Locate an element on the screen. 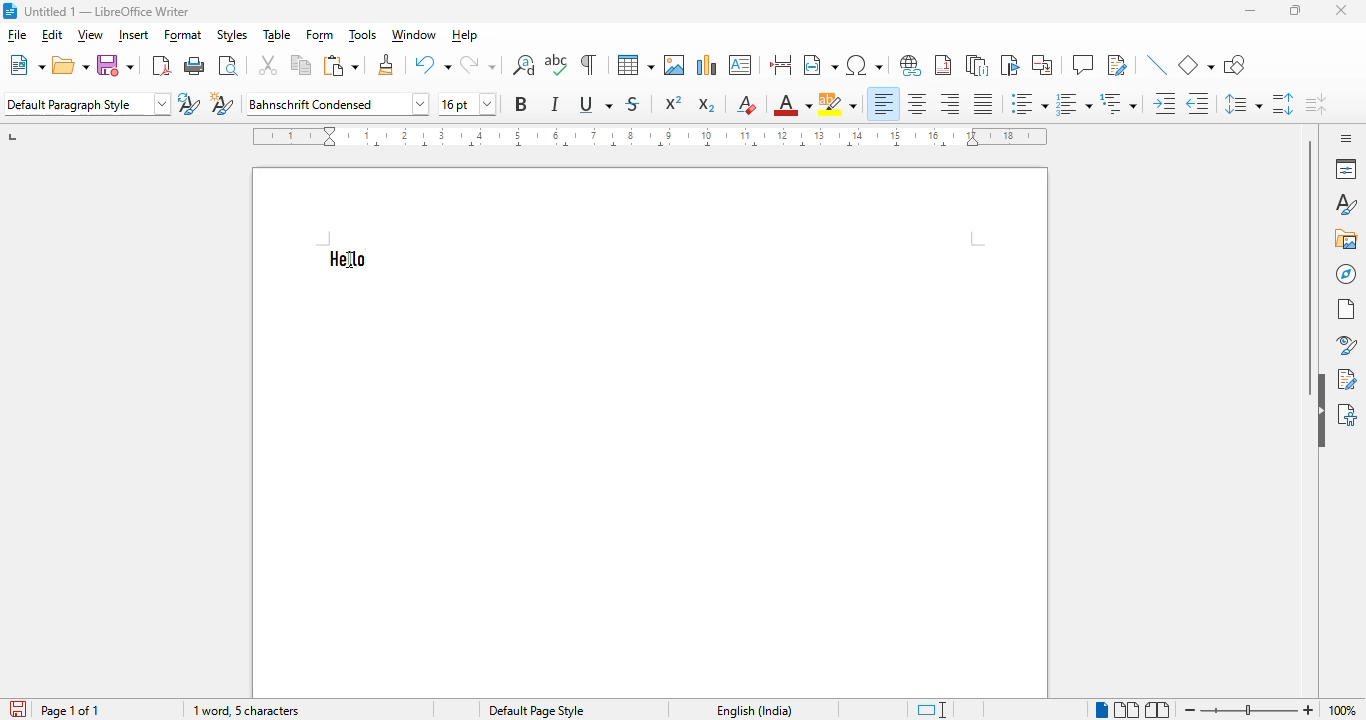 This screenshot has width=1366, height=720. table is located at coordinates (277, 35).